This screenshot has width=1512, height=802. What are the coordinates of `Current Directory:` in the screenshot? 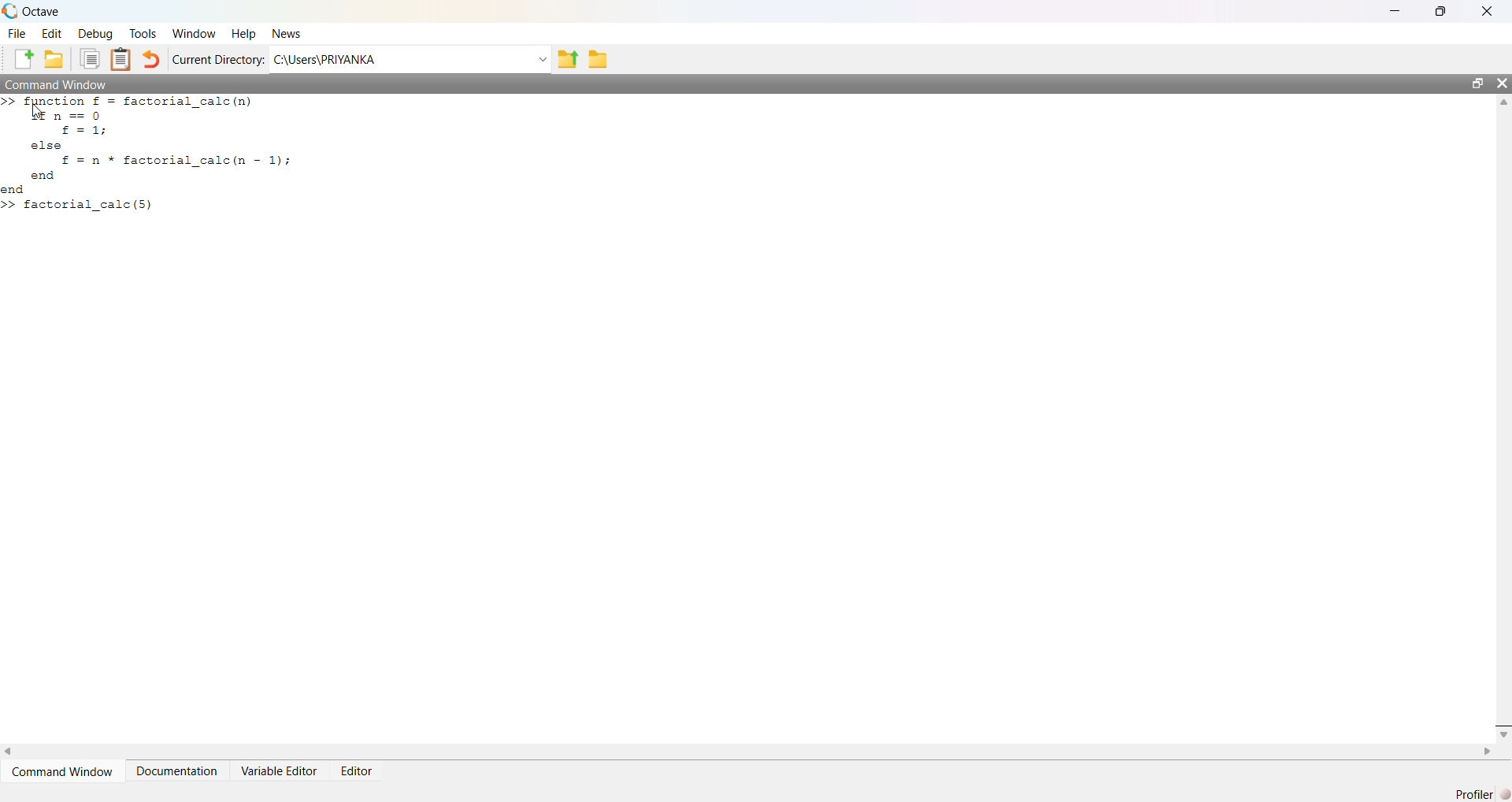 It's located at (220, 61).